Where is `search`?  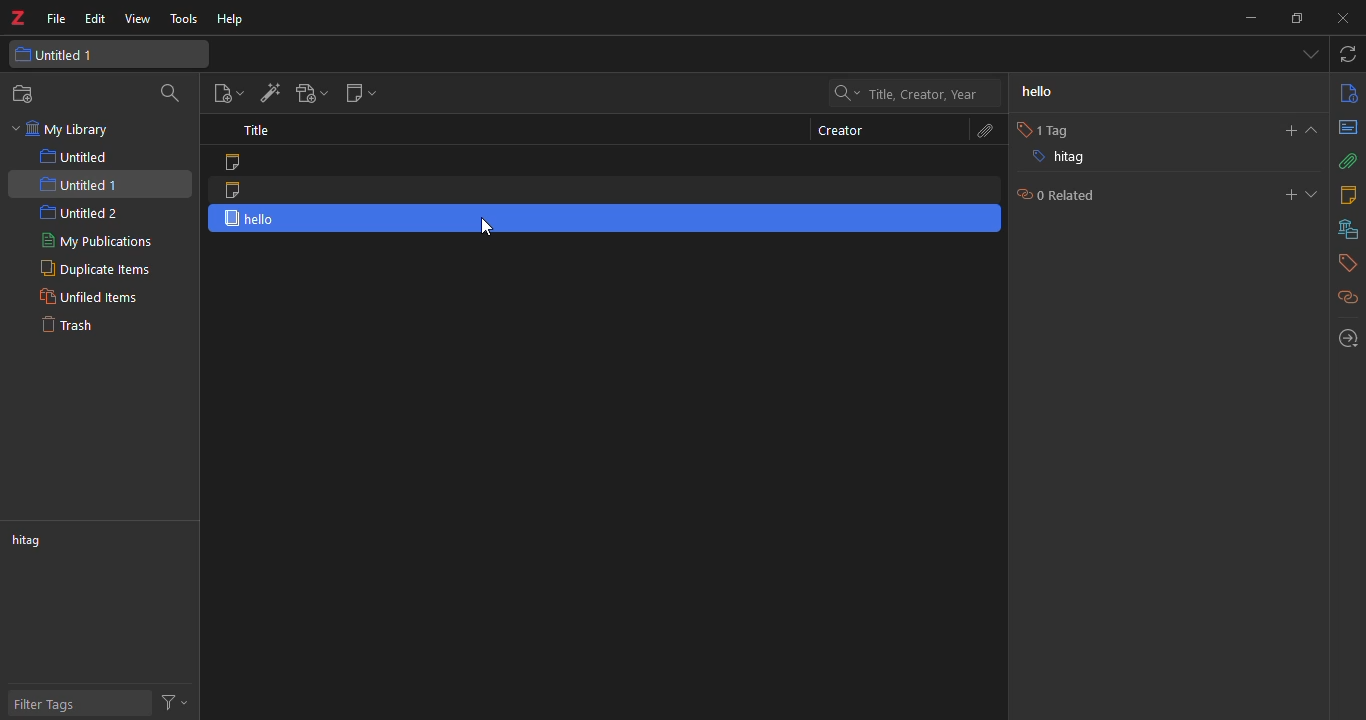
search is located at coordinates (903, 93).